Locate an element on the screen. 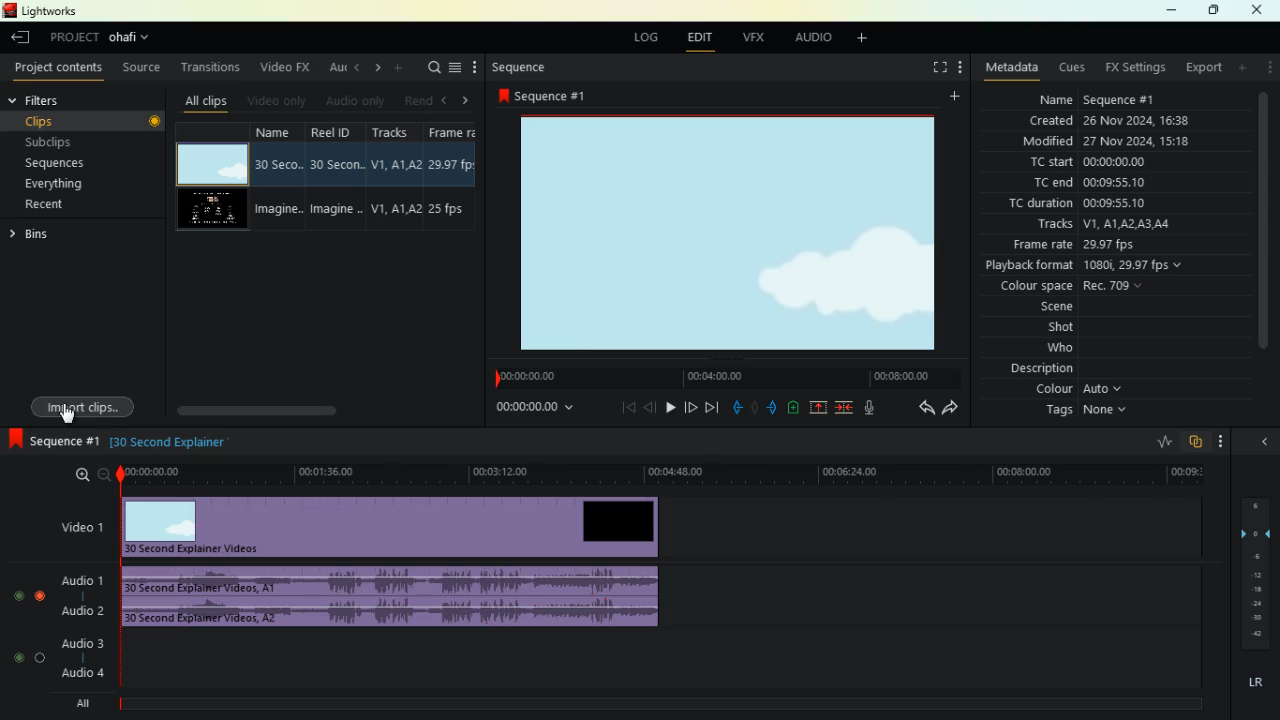  rend is located at coordinates (416, 100).